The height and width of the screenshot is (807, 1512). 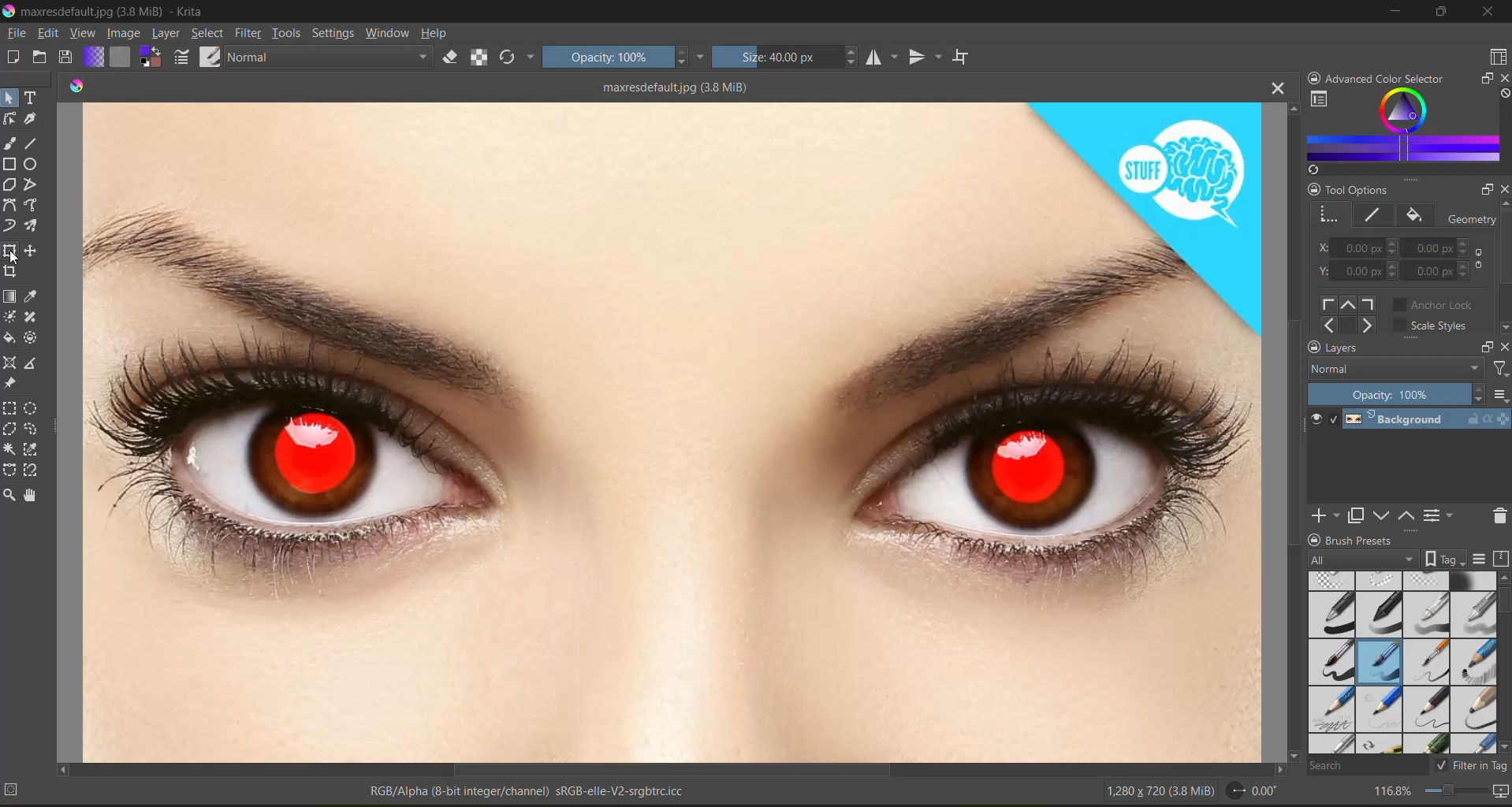 I want to click on xy axis, so click(x=1443, y=248).